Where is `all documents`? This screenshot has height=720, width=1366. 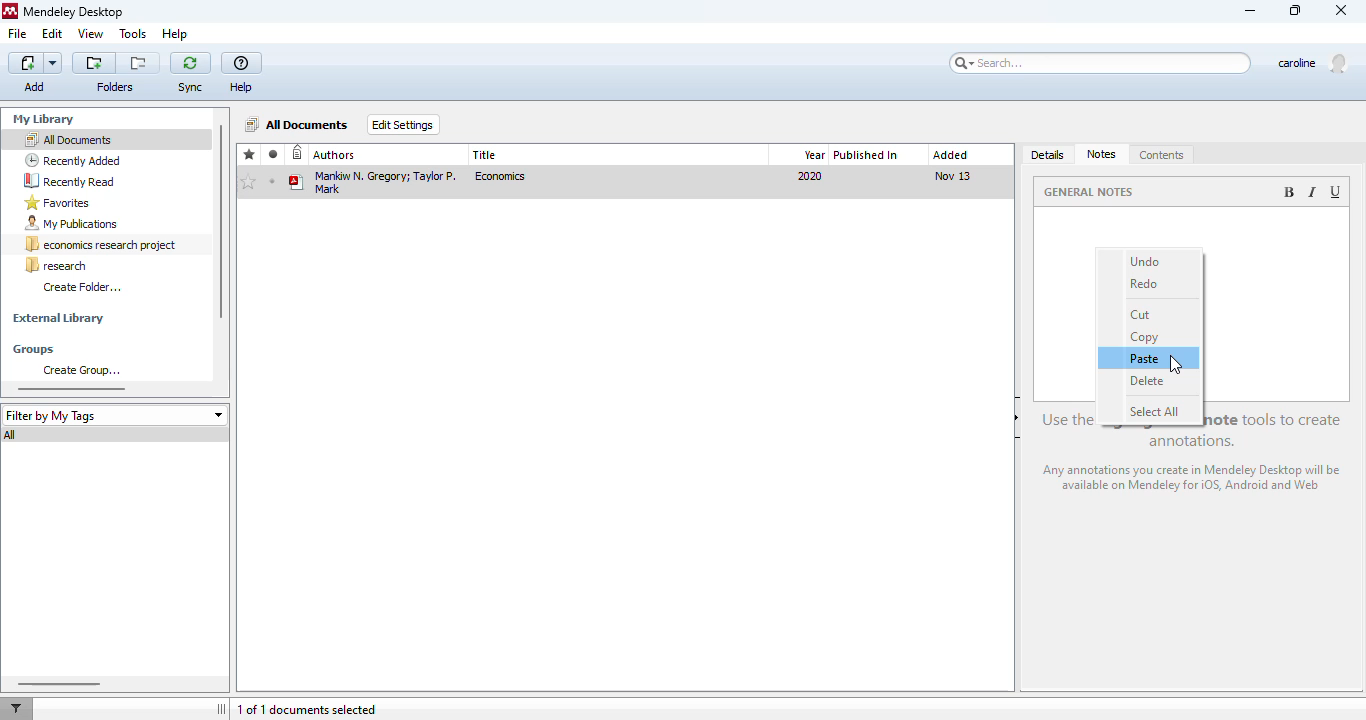 all documents is located at coordinates (298, 124).